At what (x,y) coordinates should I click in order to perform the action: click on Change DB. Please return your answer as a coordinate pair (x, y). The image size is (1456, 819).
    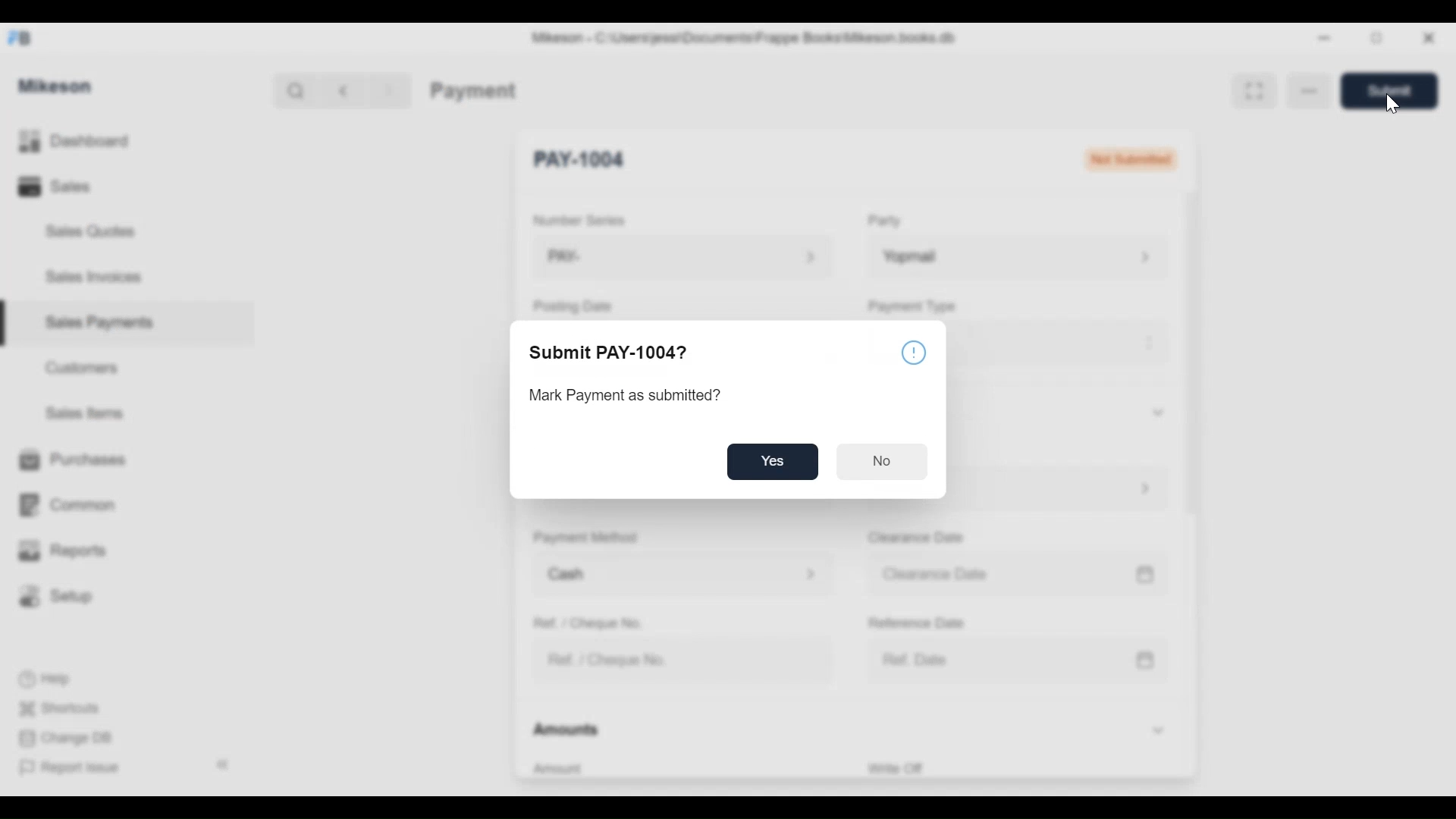
    Looking at the image, I should click on (70, 739).